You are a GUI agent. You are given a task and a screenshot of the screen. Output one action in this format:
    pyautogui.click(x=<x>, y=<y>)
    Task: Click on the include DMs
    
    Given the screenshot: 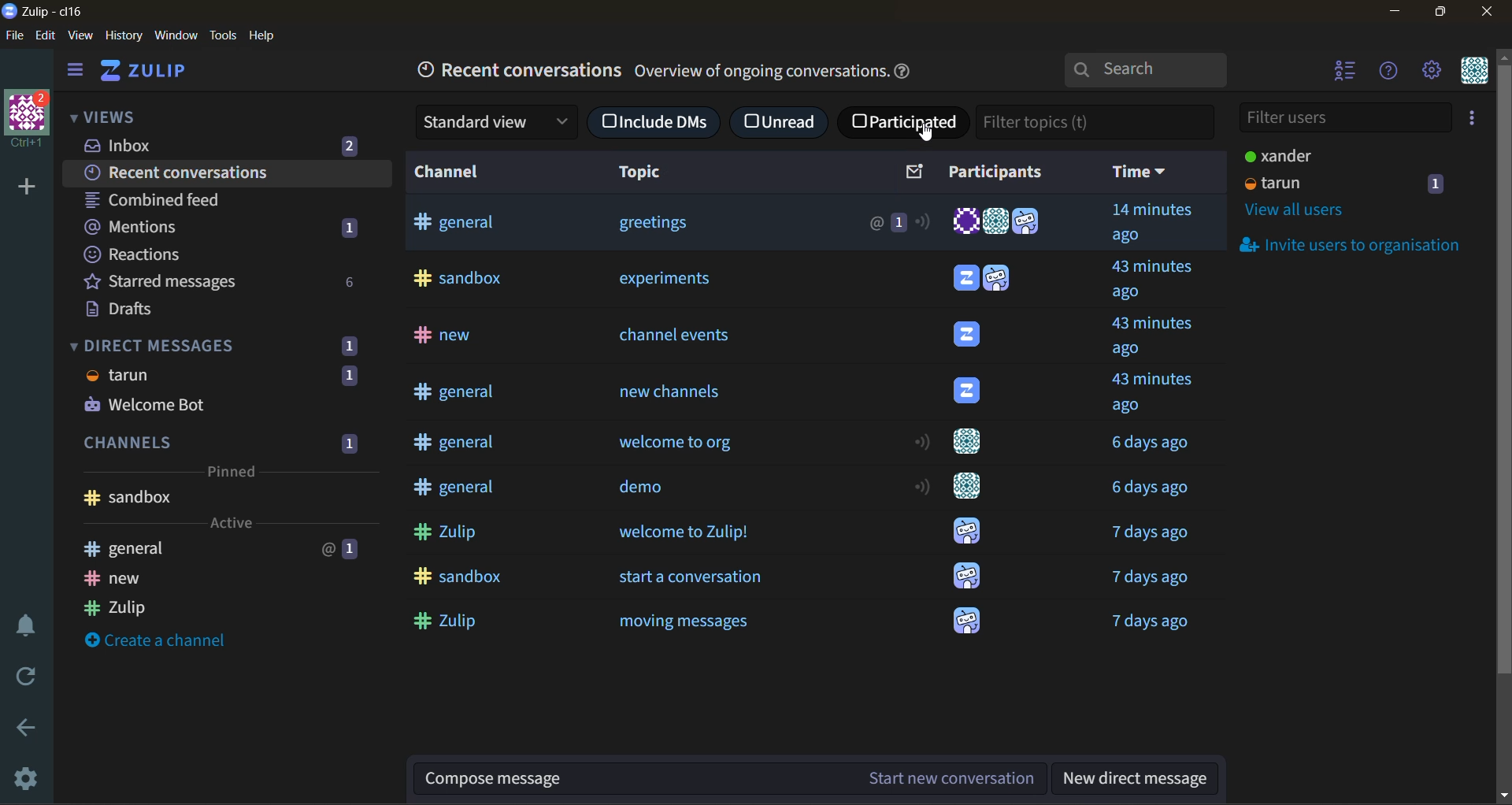 What is the action you would take?
    pyautogui.click(x=656, y=120)
    